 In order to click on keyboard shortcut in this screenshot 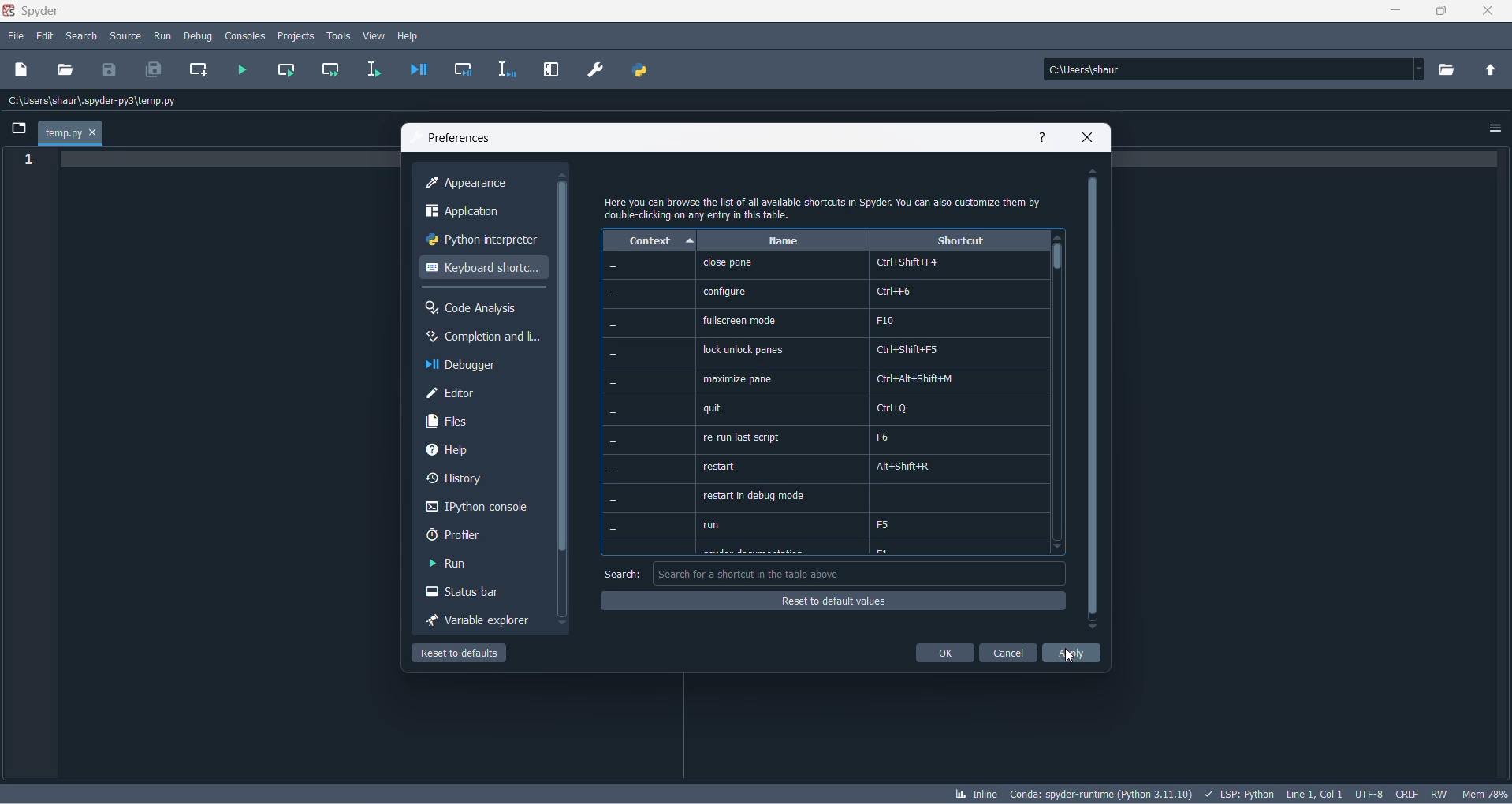, I will do `click(482, 269)`.